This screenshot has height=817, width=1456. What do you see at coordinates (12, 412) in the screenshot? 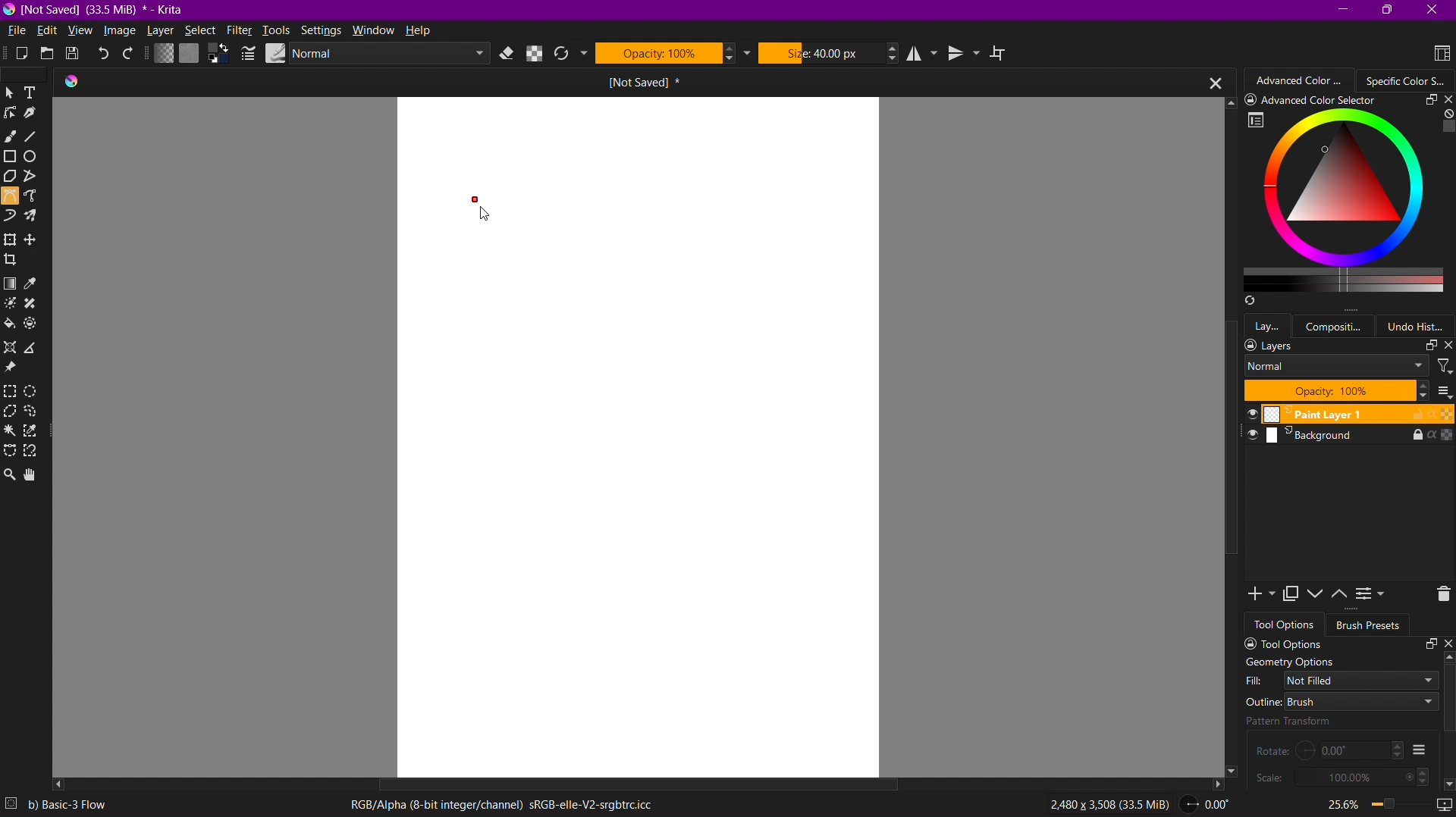
I see `Polygonal Selection Tool` at bounding box center [12, 412].